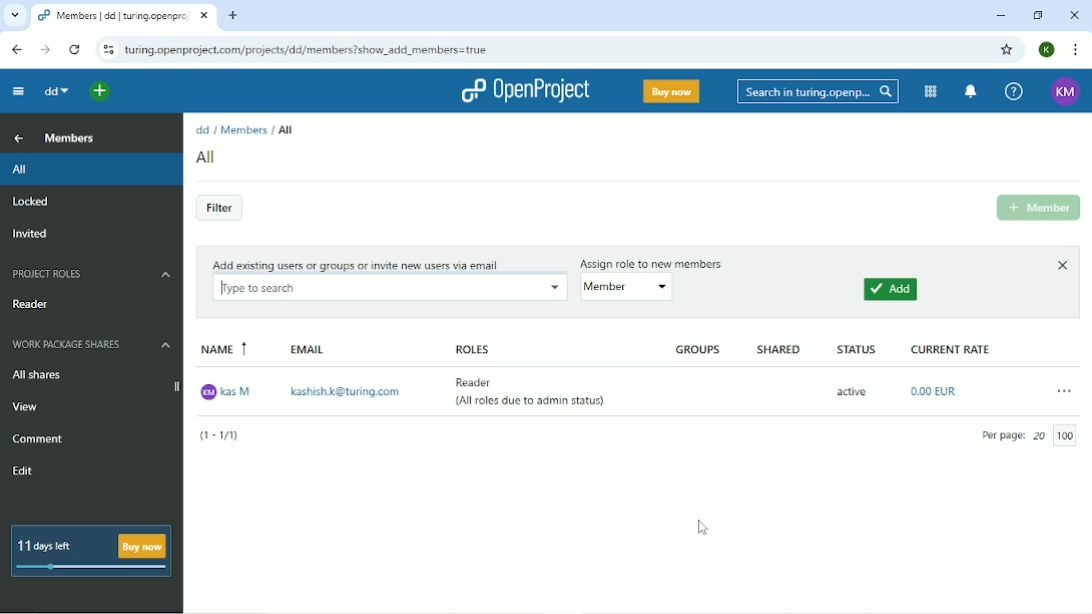  I want to click on Invited, so click(31, 235).